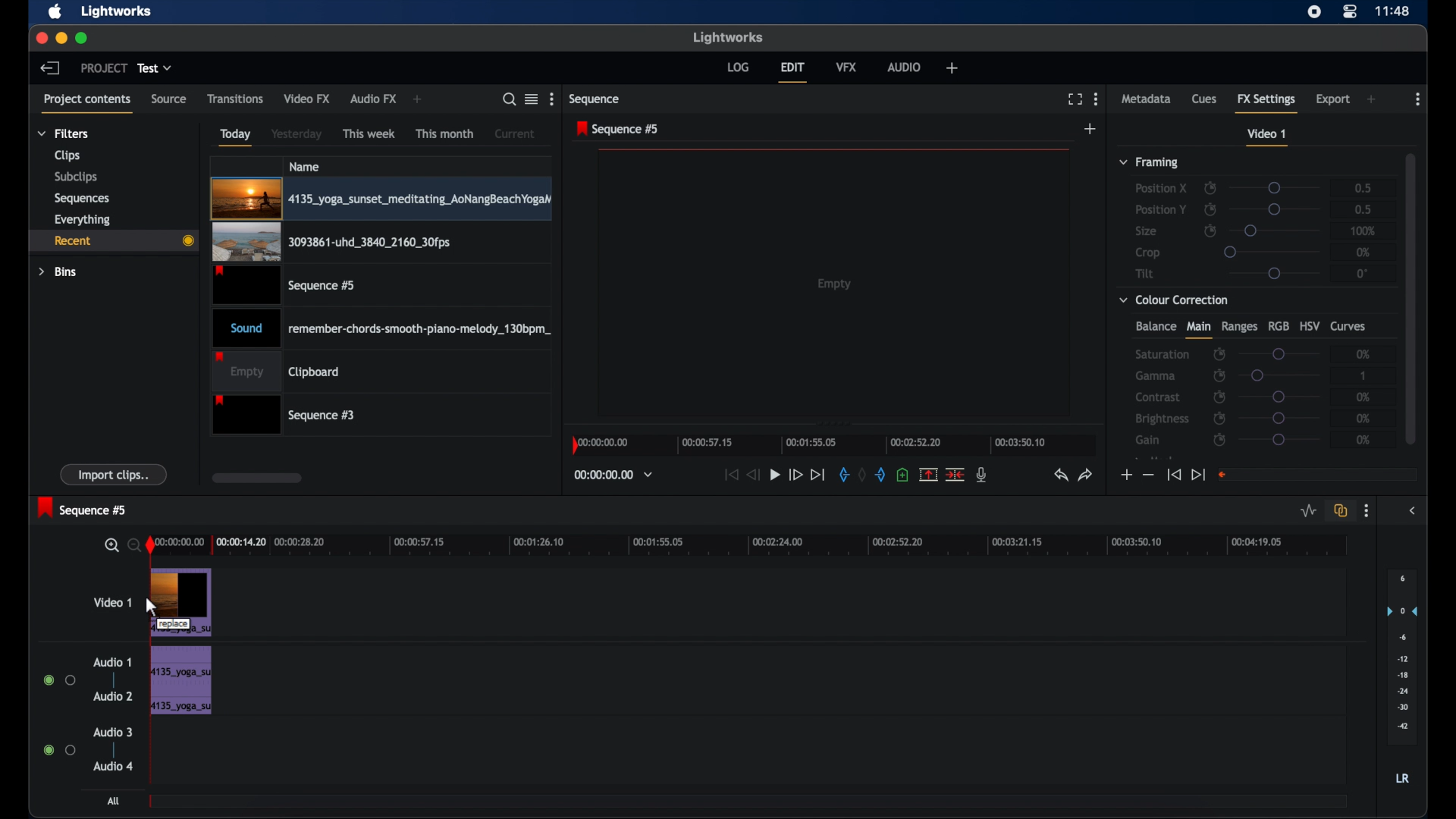 This screenshot has height=819, width=1456. What do you see at coordinates (370, 133) in the screenshot?
I see `this week` at bounding box center [370, 133].